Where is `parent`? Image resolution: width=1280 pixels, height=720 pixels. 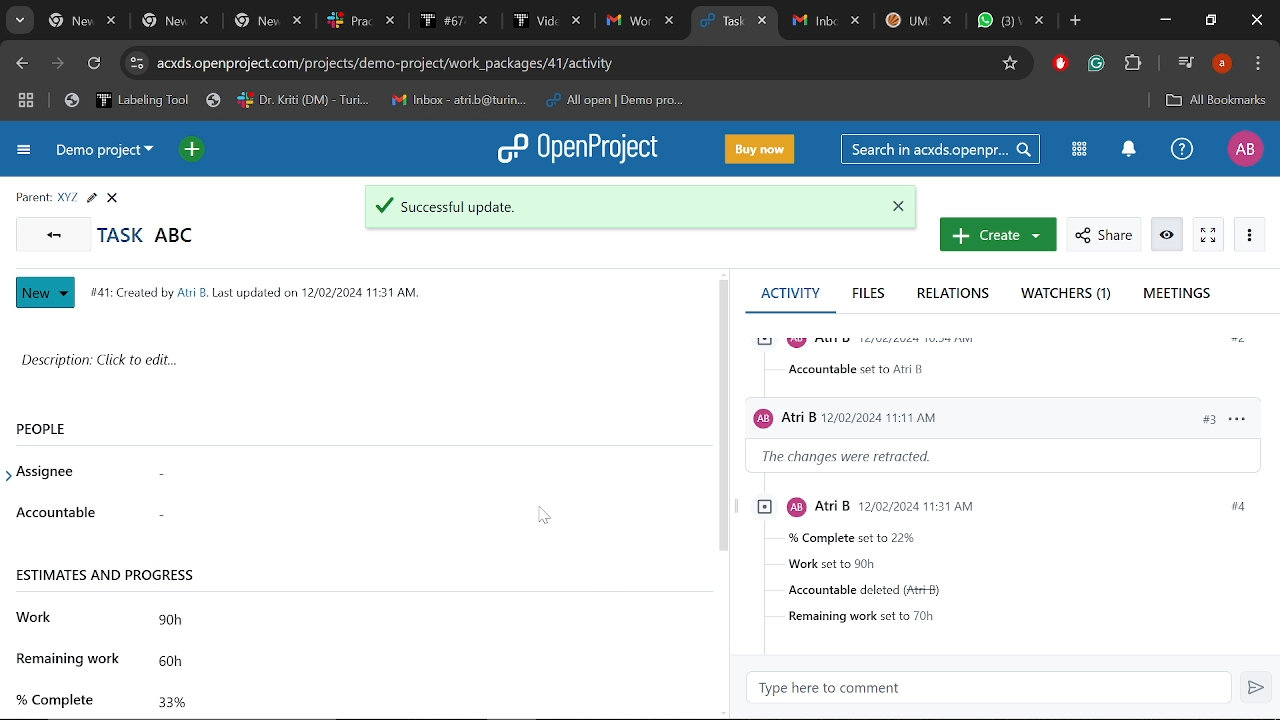
parent is located at coordinates (29, 196).